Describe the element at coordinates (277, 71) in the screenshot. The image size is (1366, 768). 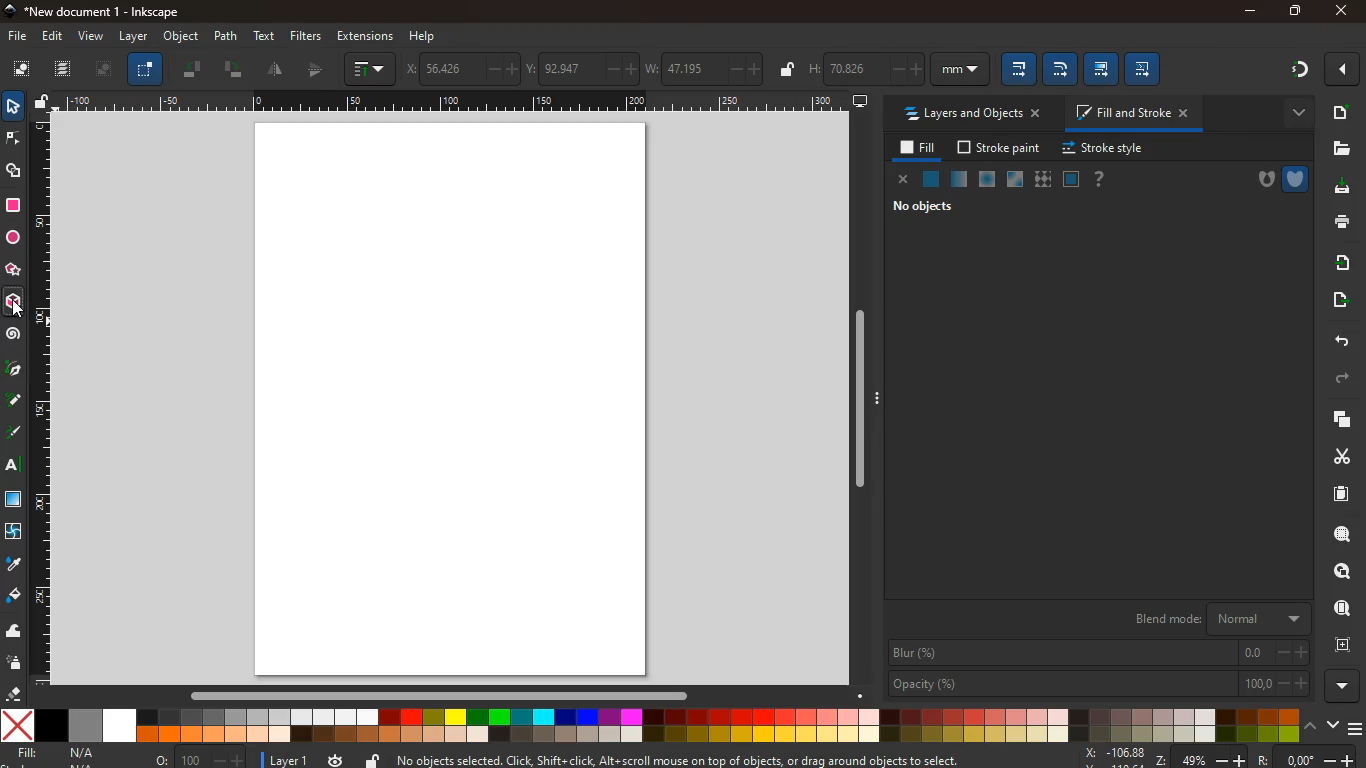
I see `half` at that location.